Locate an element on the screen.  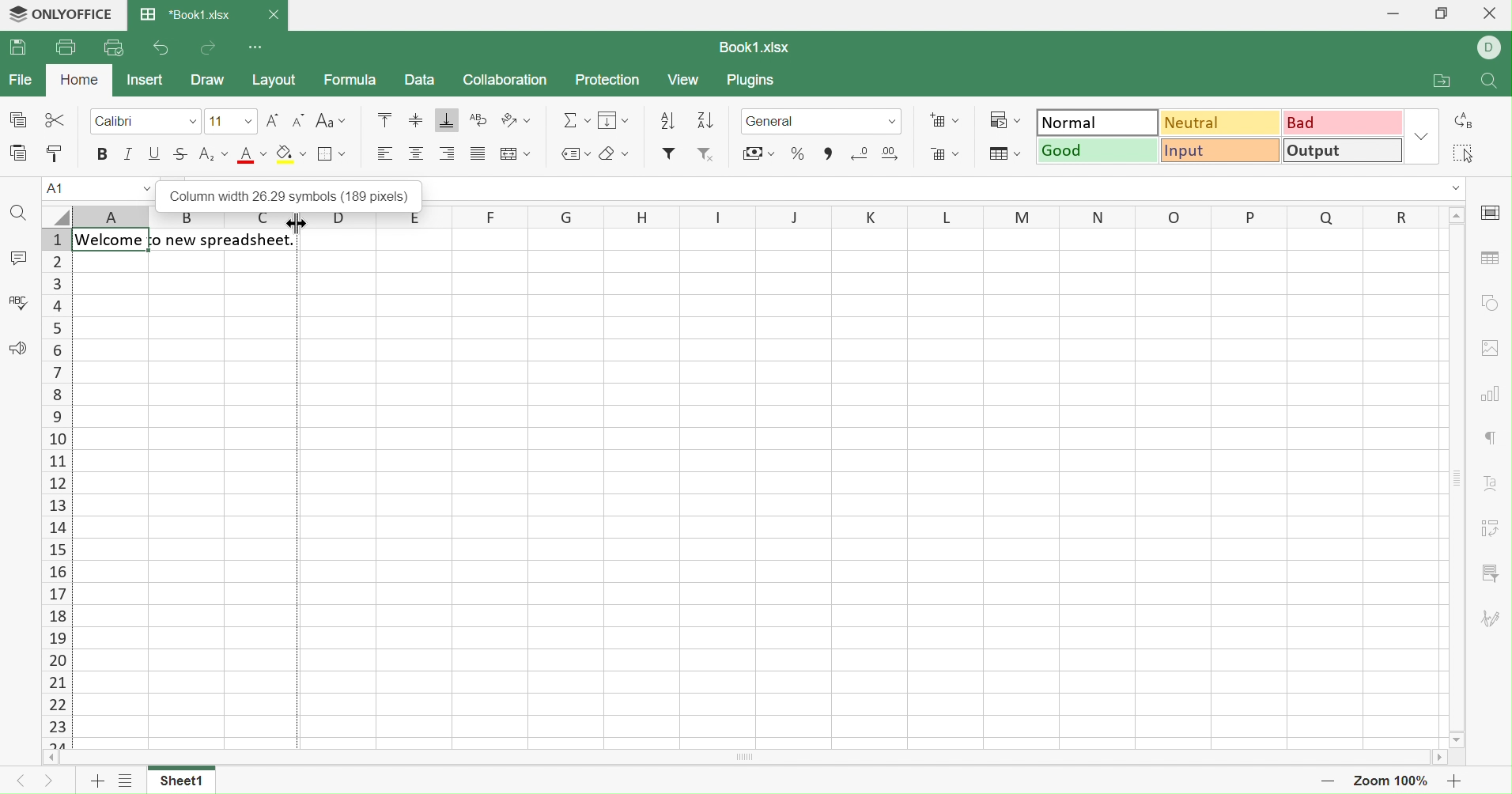
Underline is located at coordinates (156, 153).